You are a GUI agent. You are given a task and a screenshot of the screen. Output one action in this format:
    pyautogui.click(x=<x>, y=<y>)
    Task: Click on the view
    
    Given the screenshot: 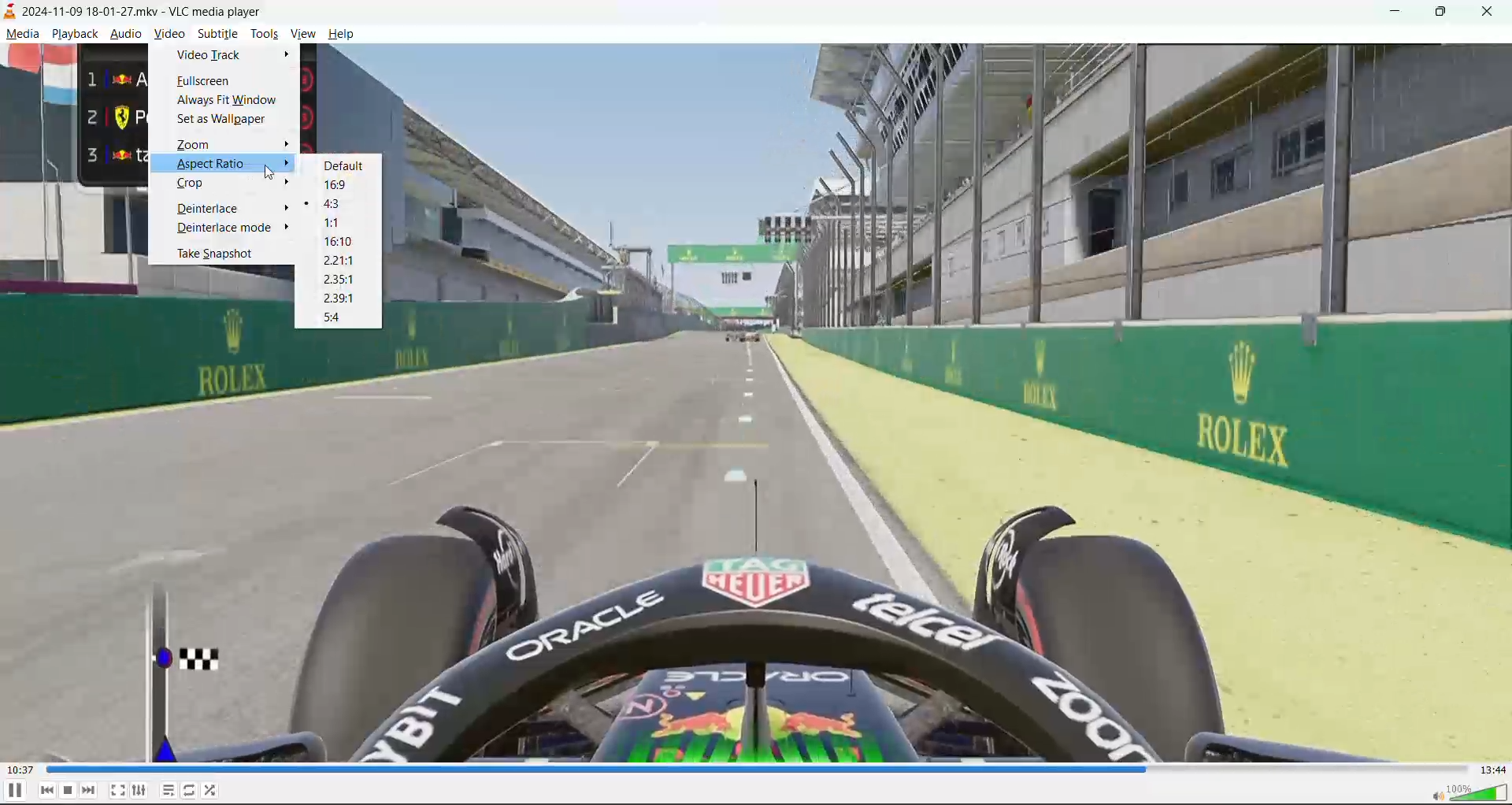 What is the action you would take?
    pyautogui.click(x=302, y=33)
    